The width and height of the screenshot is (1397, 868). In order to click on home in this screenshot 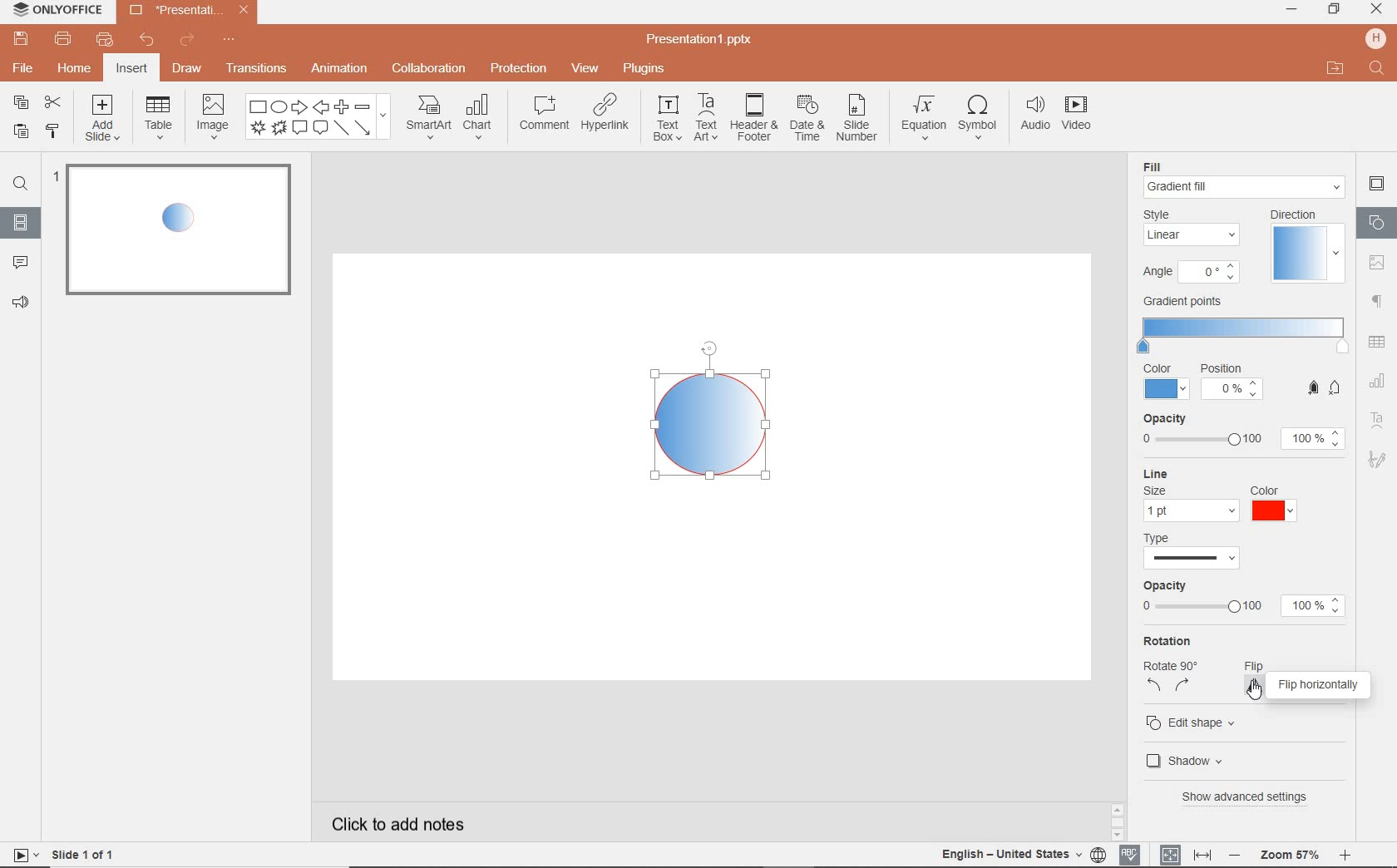, I will do `click(77, 69)`.